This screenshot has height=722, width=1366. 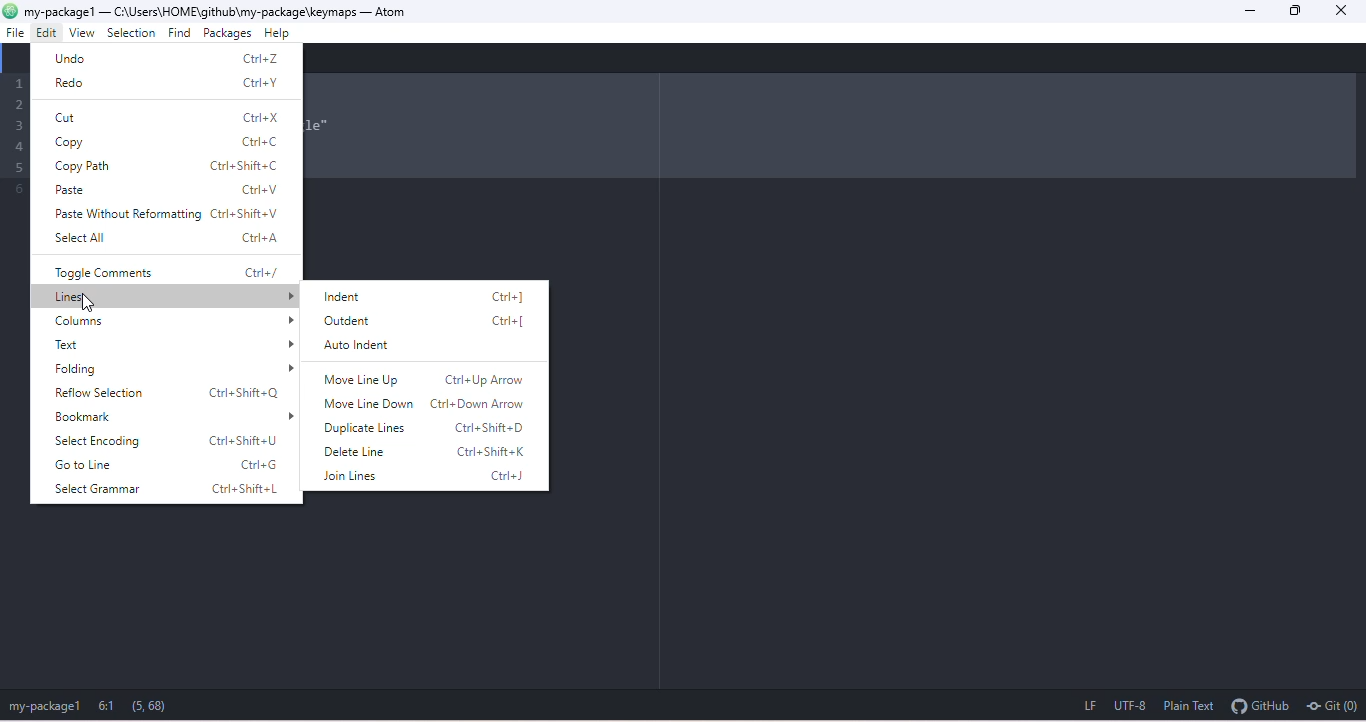 What do you see at coordinates (175, 394) in the screenshot?
I see `reflow selection` at bounding box center [175, 394].